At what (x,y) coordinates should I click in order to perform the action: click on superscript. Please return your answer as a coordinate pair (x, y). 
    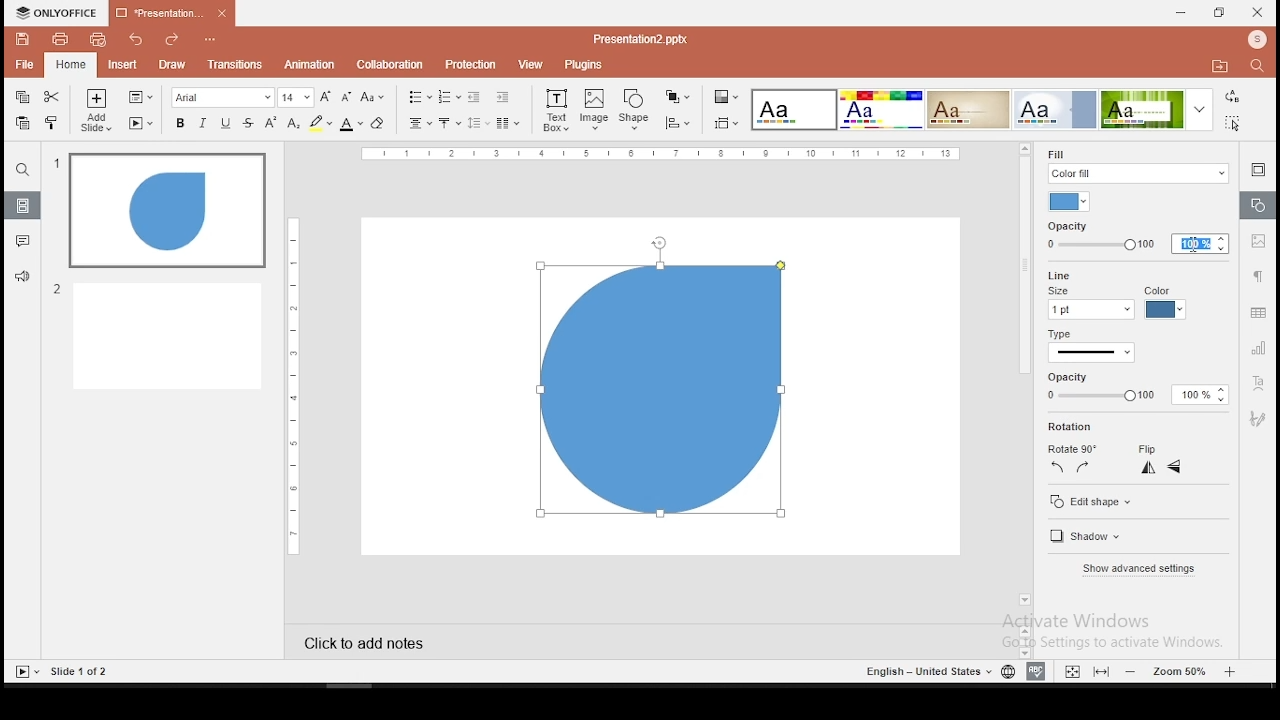
    Looking at the image, I should click on (272, 122).